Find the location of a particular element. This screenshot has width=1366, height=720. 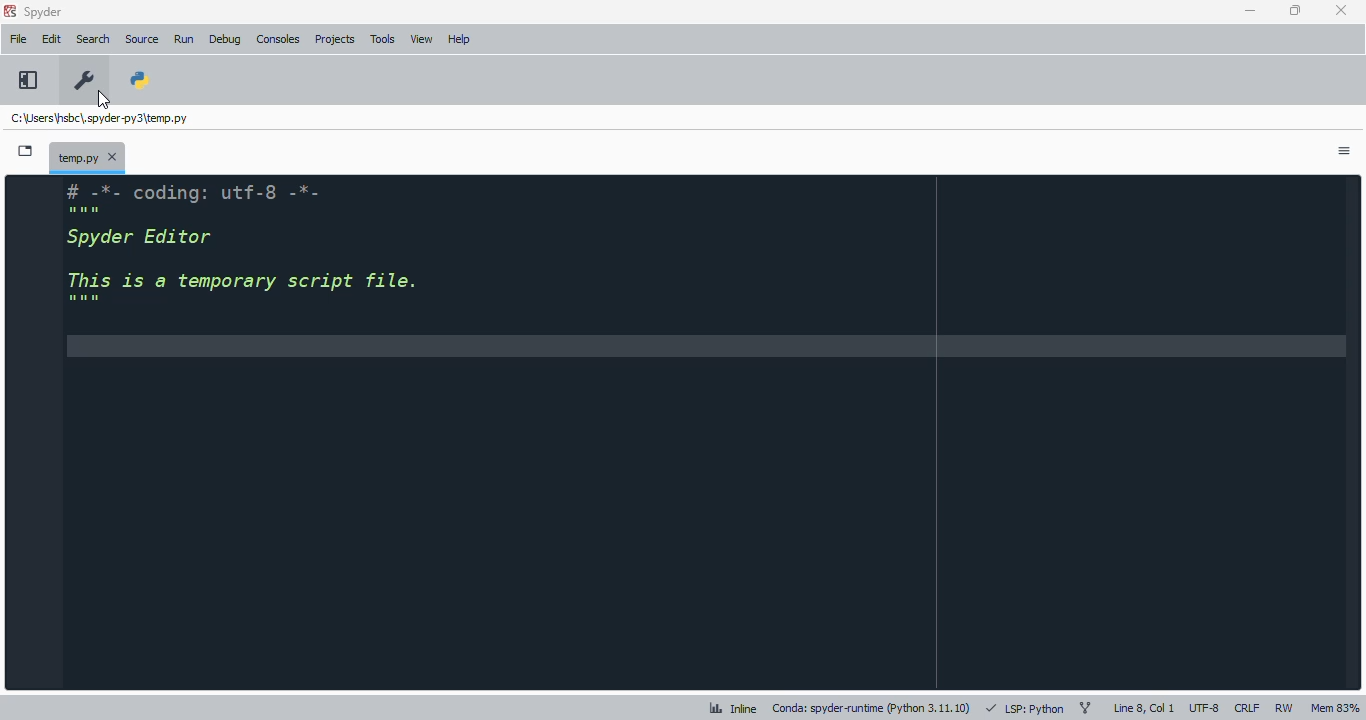

minimize is located at coordinates (1252, 11).